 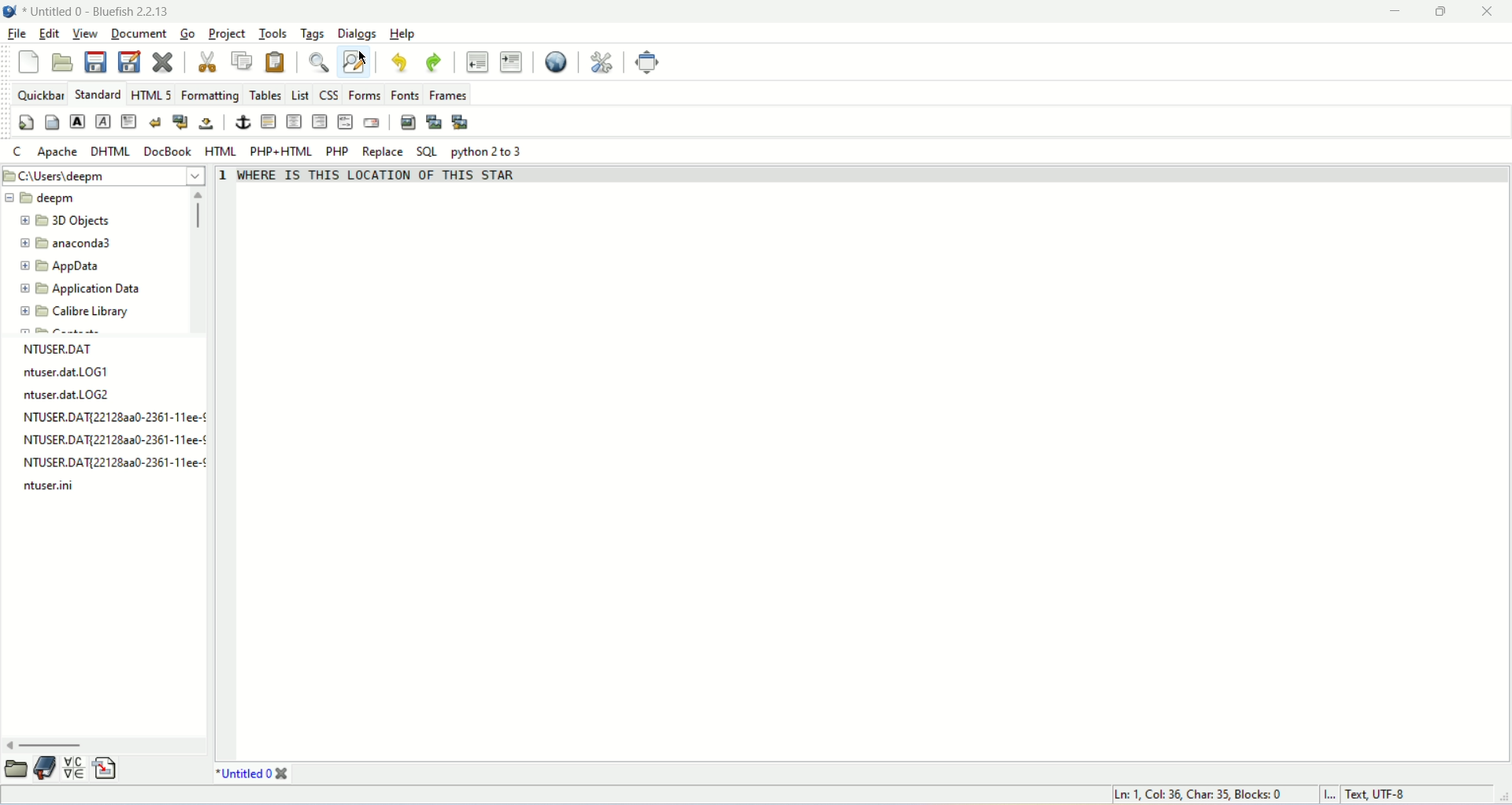 I want to click on ntuser.dat LOG1, so click(x=64, y=373).